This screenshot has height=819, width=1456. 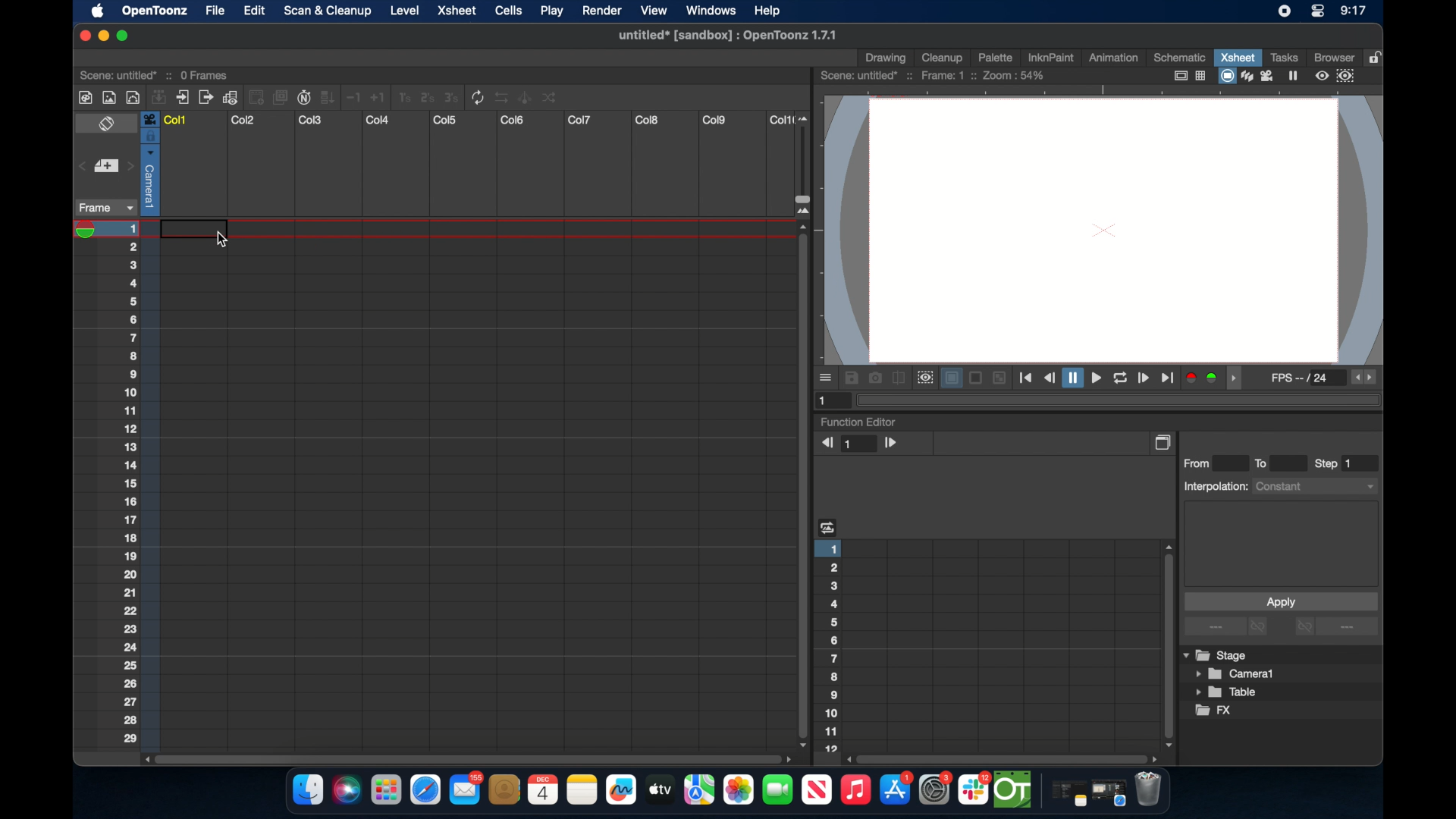 What do you see at coordinates (1228, 627) in the screenshot?
I see `more  options` at bounding box center [1228, 627].